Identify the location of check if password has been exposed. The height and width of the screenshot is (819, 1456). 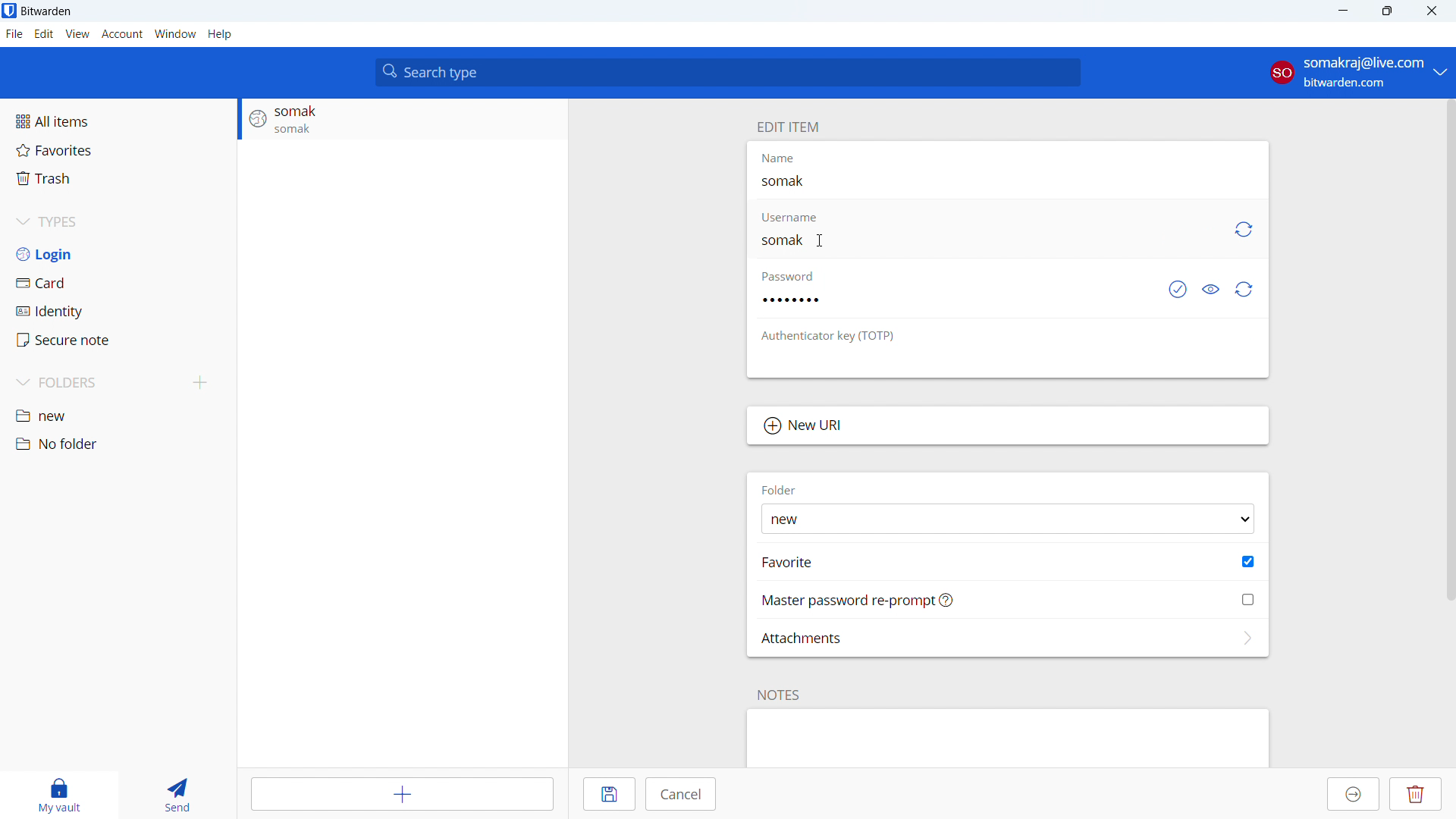
(1178, 288).